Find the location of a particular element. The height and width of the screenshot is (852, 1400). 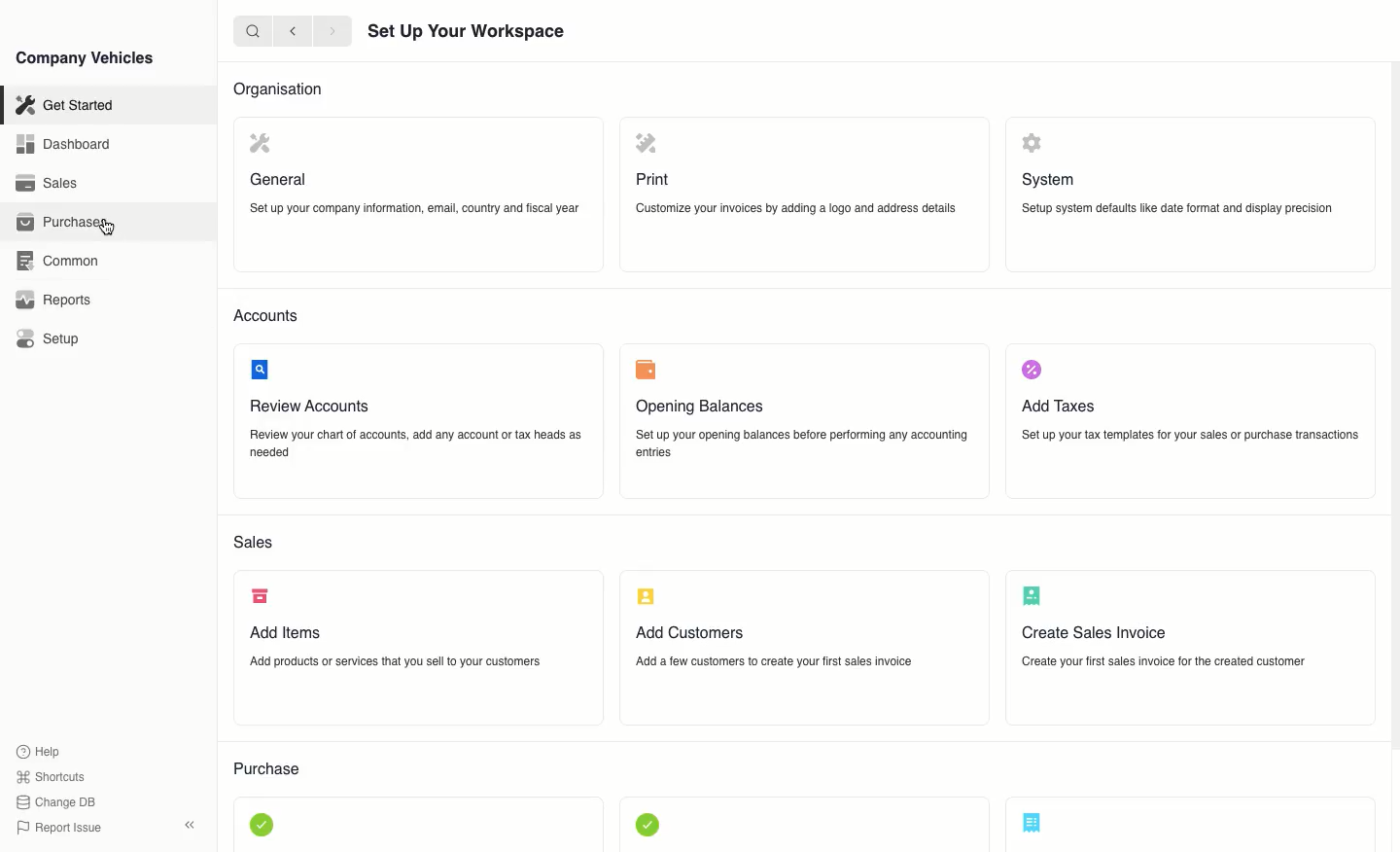

Purchase is located at coordinates (63, 224).